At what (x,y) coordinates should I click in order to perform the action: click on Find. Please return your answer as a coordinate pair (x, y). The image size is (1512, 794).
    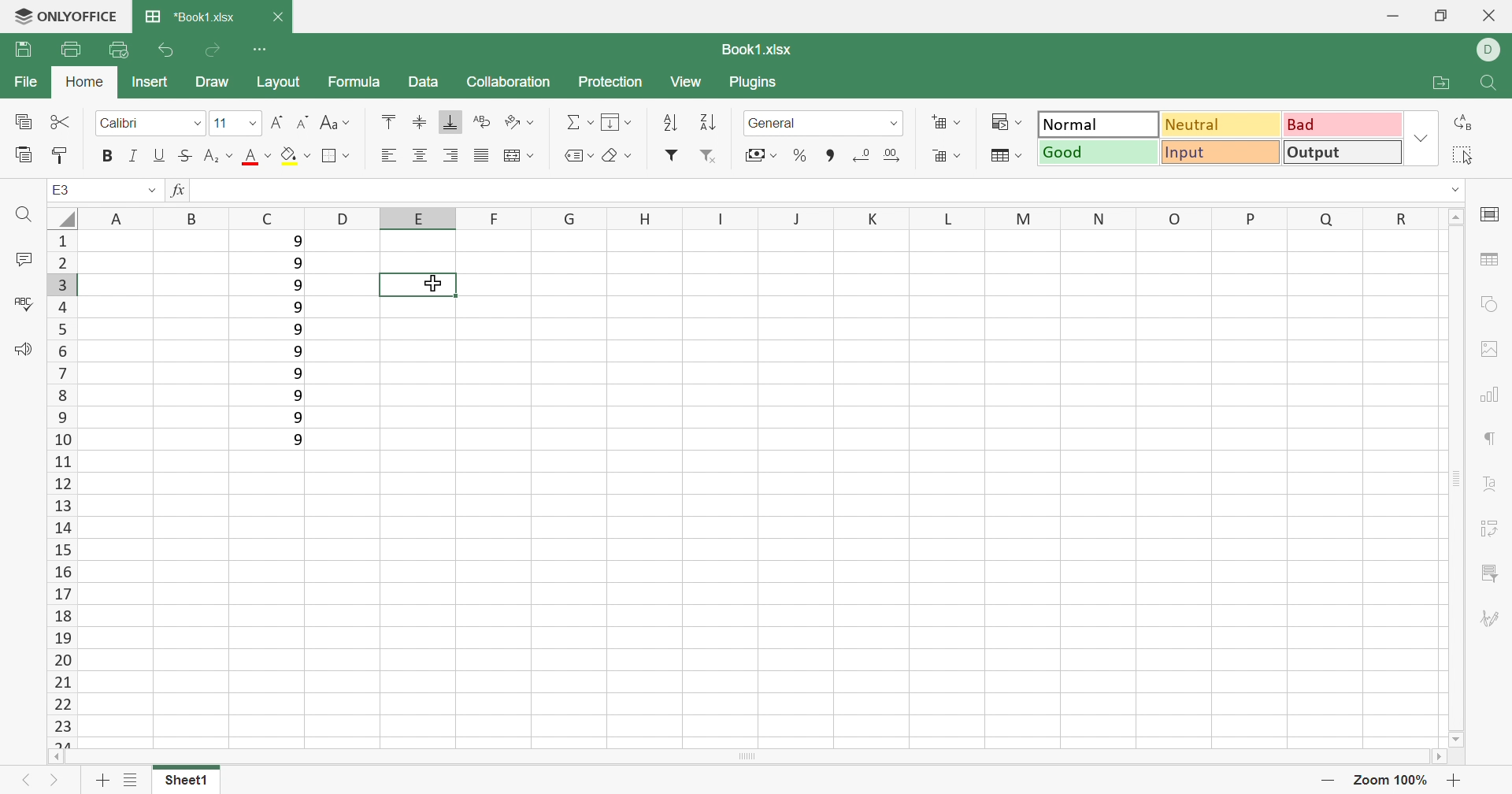
    Looking at the image, I should click on (21, 217).